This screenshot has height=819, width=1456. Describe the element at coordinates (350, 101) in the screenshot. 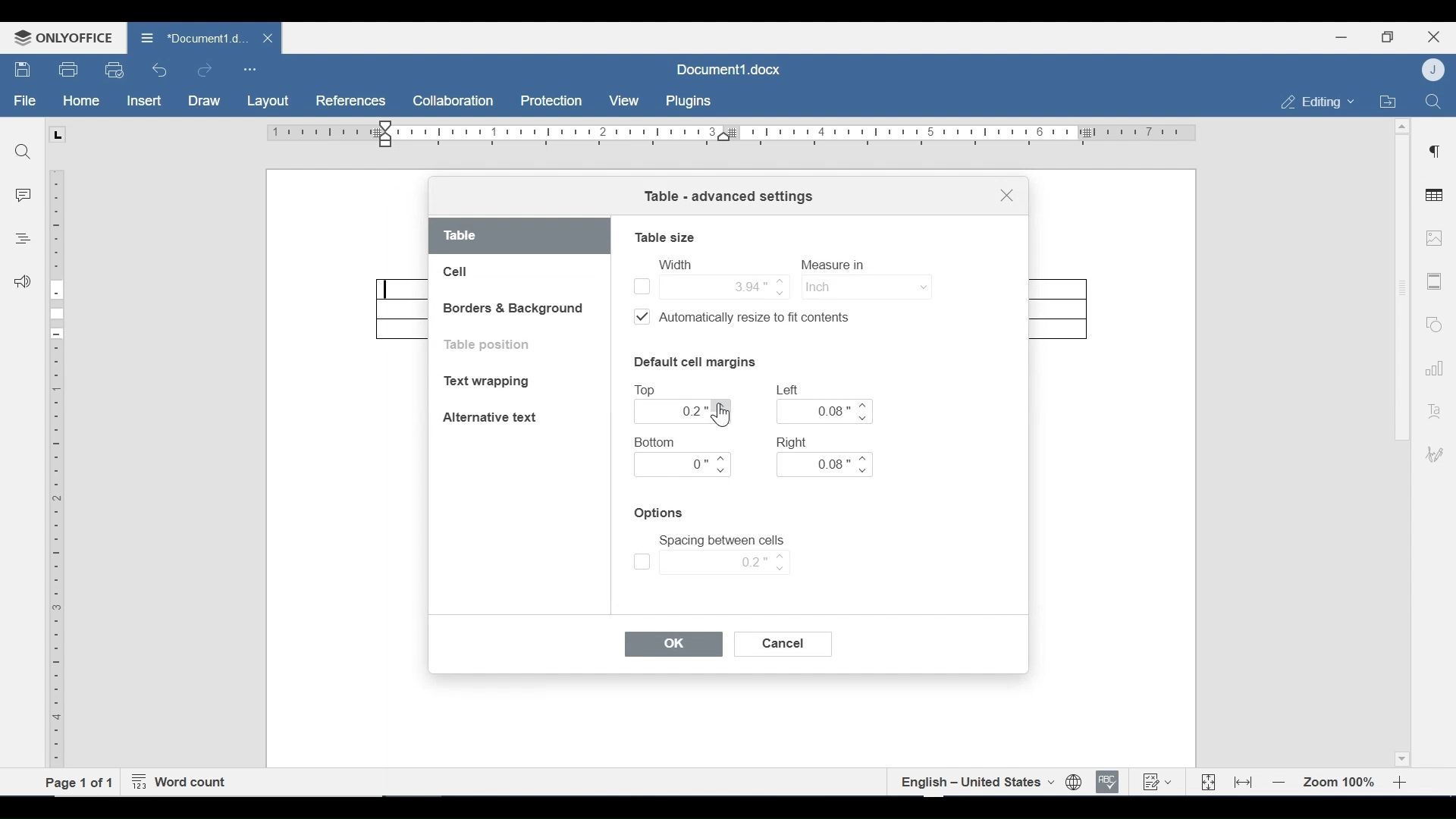

I see `References` at that location.